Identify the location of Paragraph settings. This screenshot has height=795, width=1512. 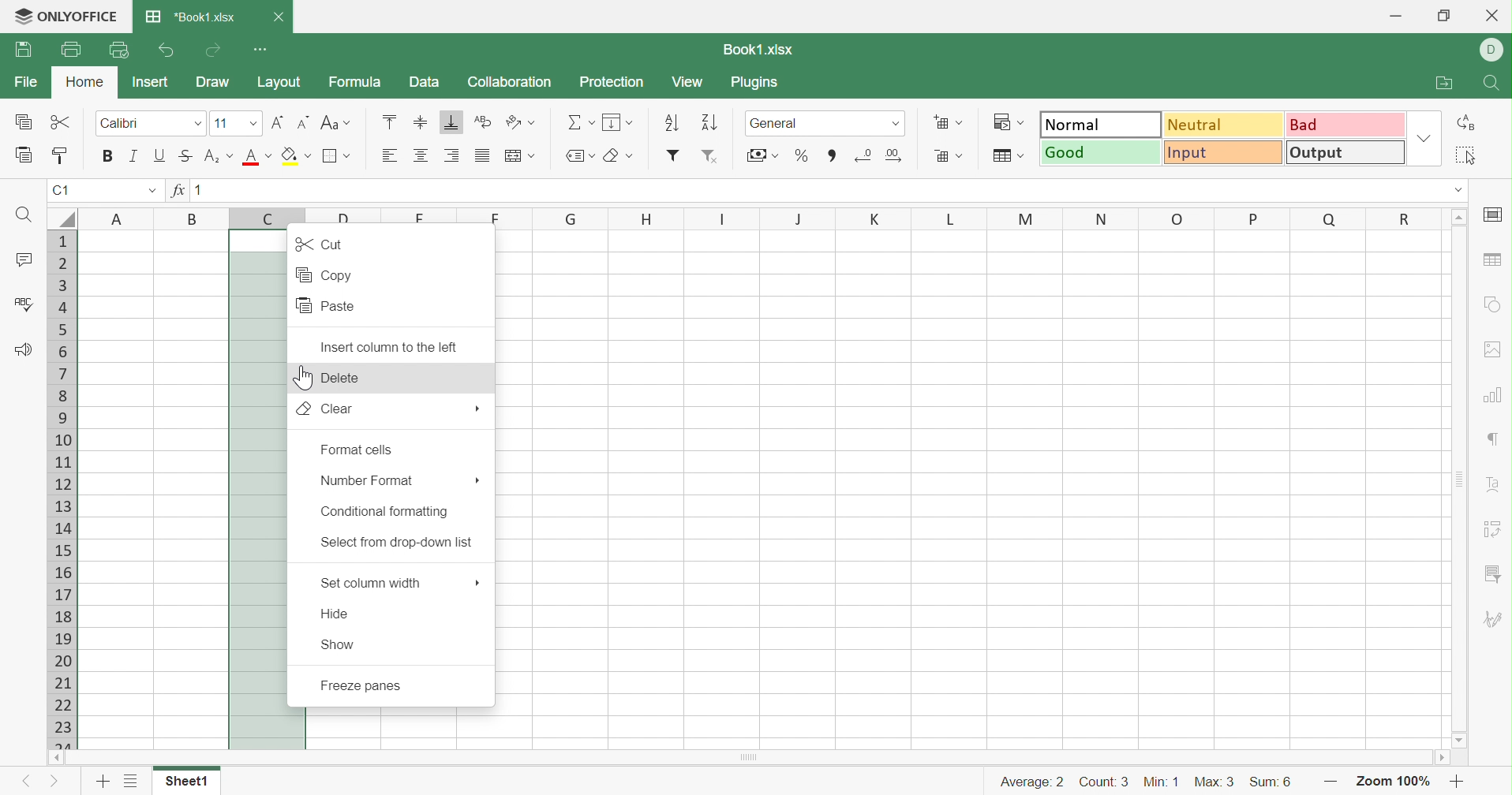
(1491, 439).